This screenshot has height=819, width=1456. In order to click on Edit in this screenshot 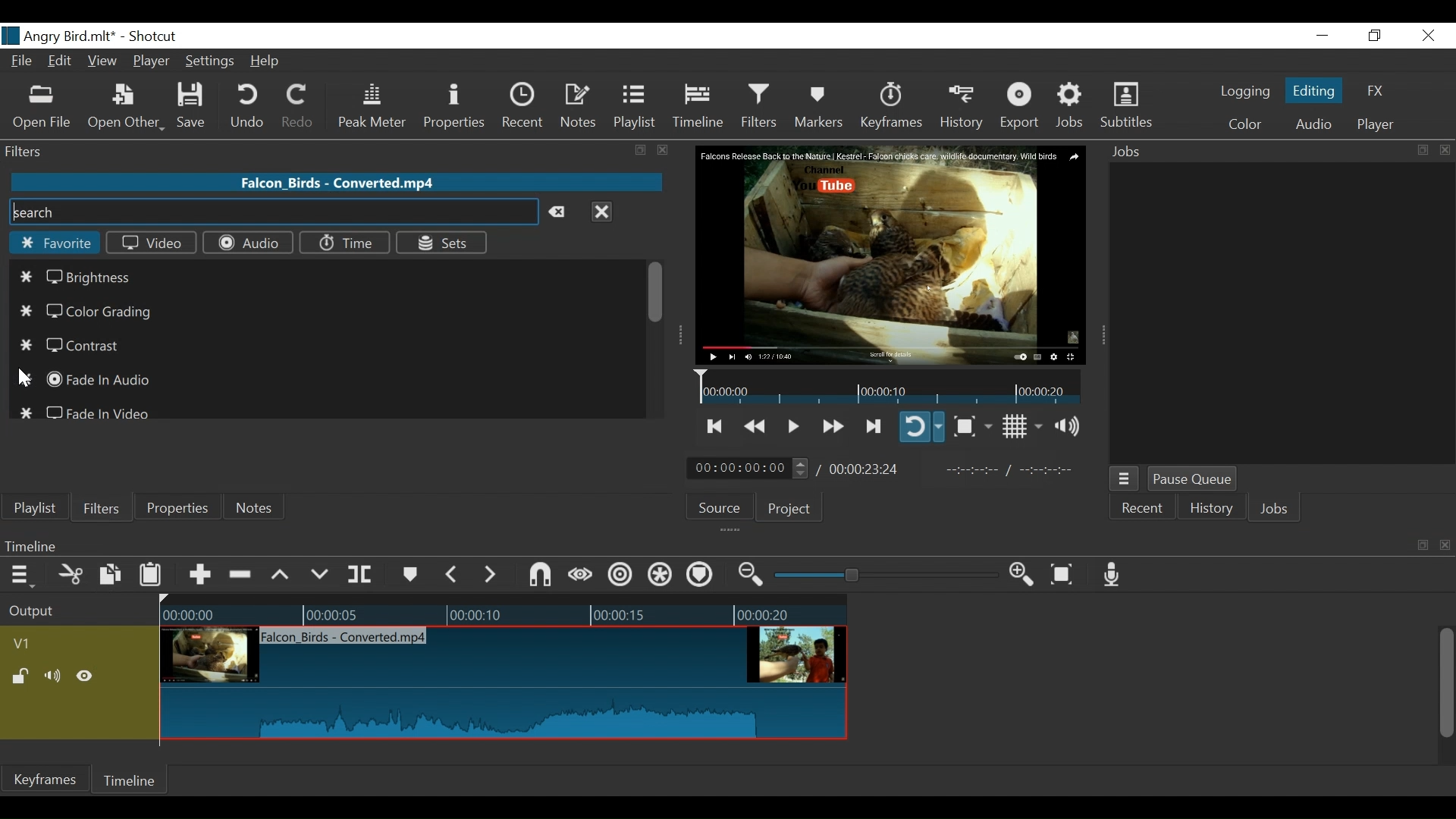, I will do `click(62, 62)`.